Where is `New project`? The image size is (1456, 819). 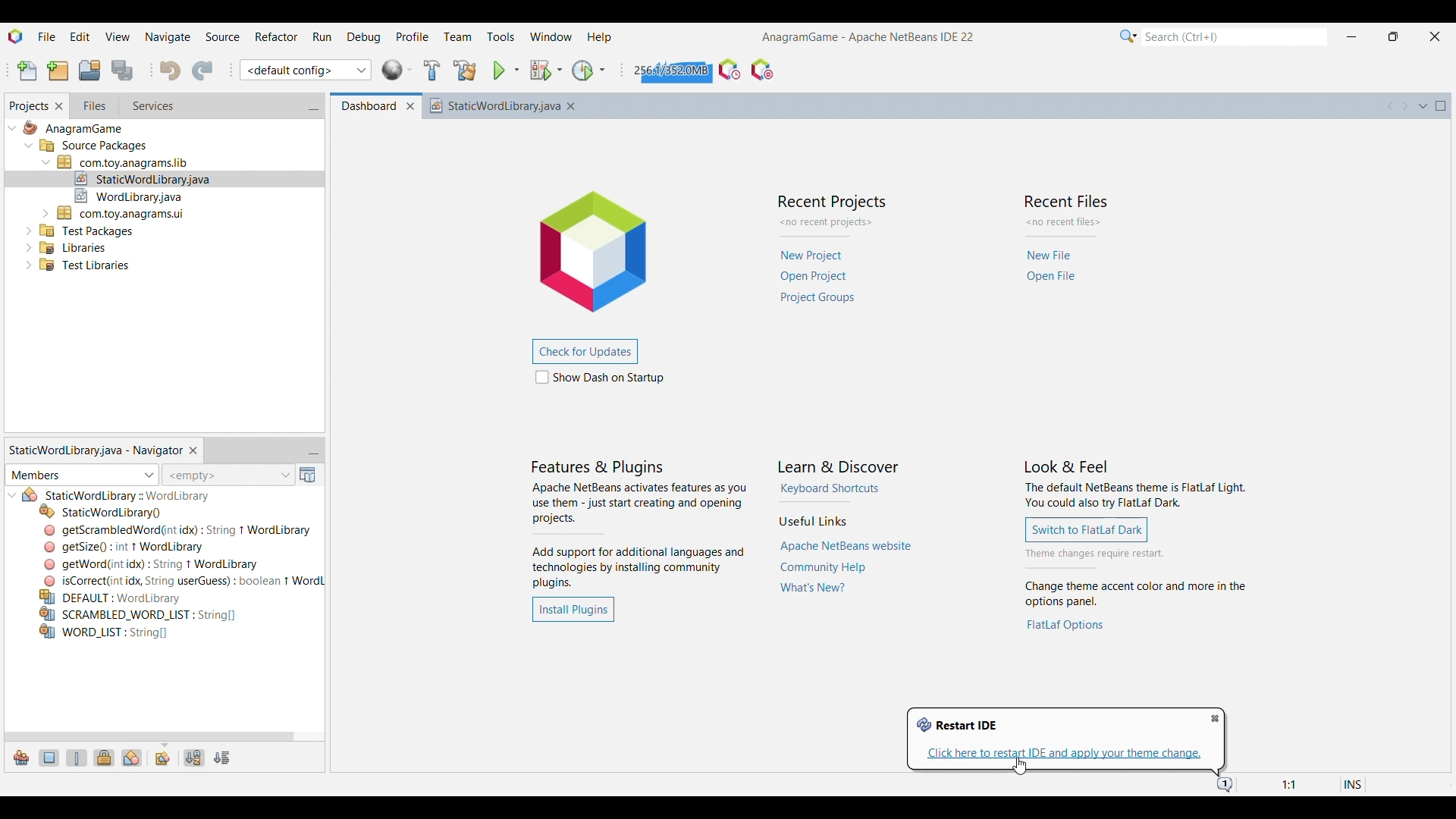
New project is located at coordinates (58, 71).